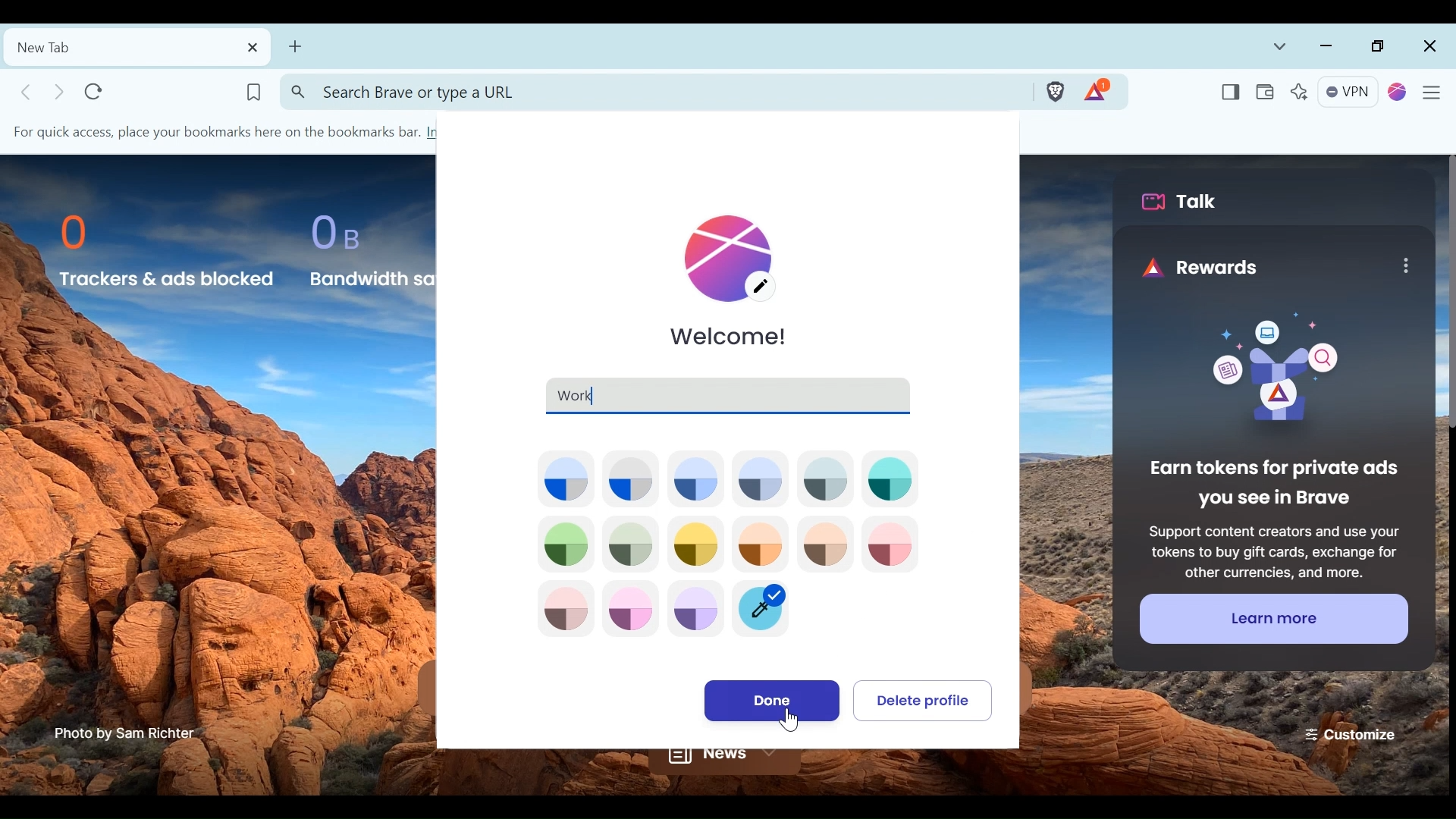 The height and width of the screenshot is (819, 1456). I want to click on Add new Tab, so click(295, 49).